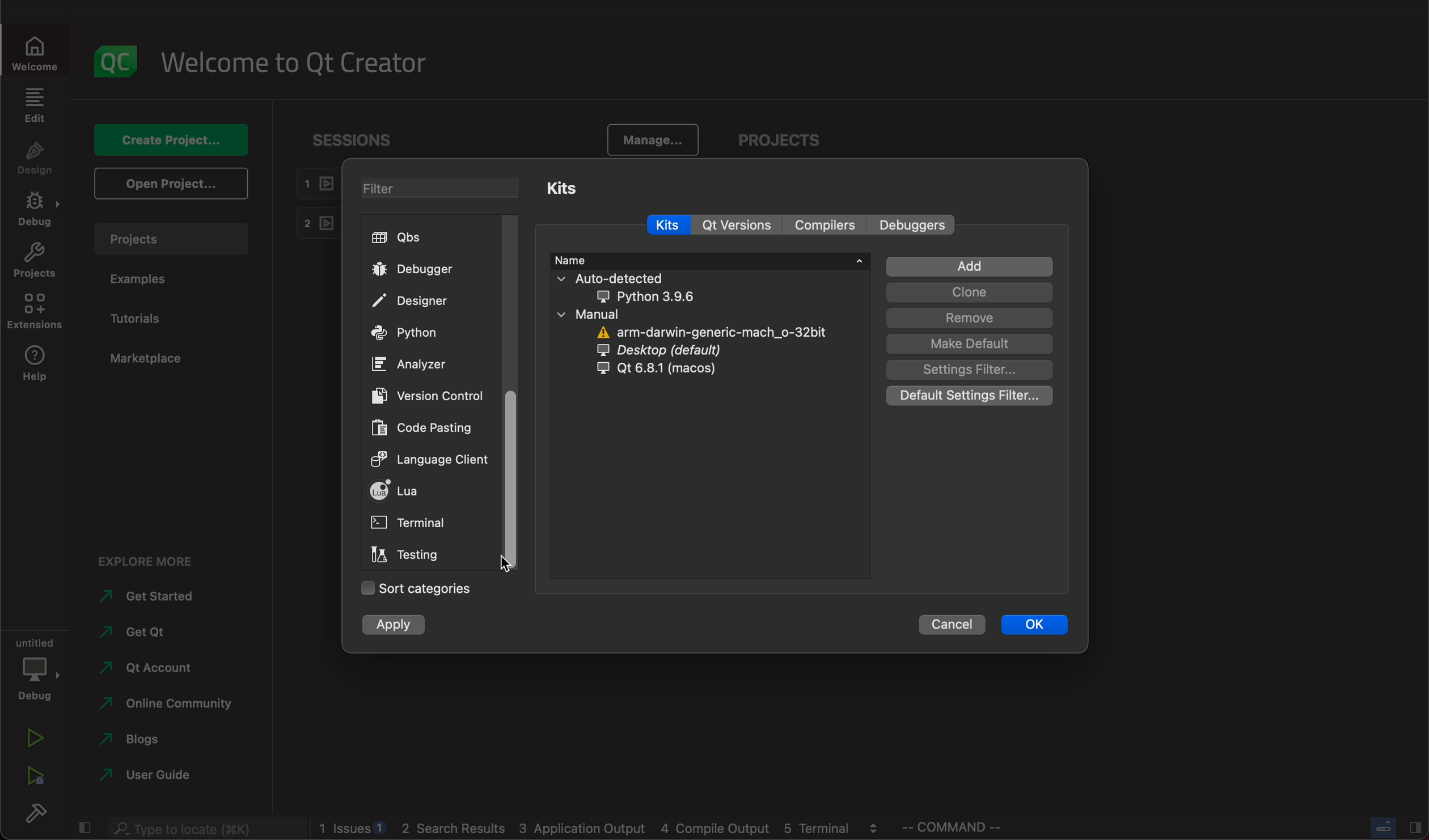 Image resolution: width=1429 pixels, height=840 pixels. Describe the element at coordinates (418, 364) in the screenshot. I see `ANALYZER` at that location.